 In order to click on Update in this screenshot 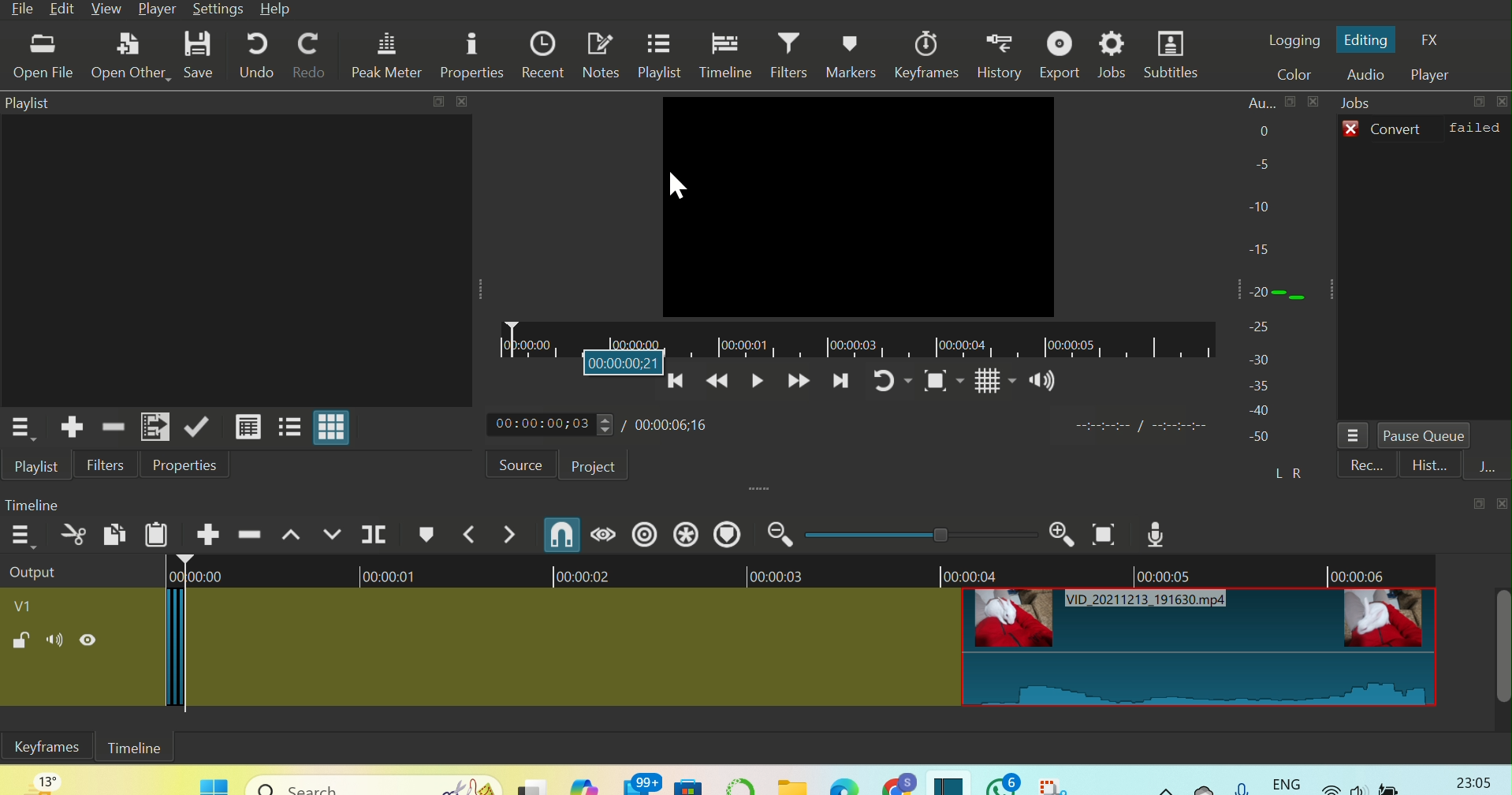, I will do `click(199, 428)`.